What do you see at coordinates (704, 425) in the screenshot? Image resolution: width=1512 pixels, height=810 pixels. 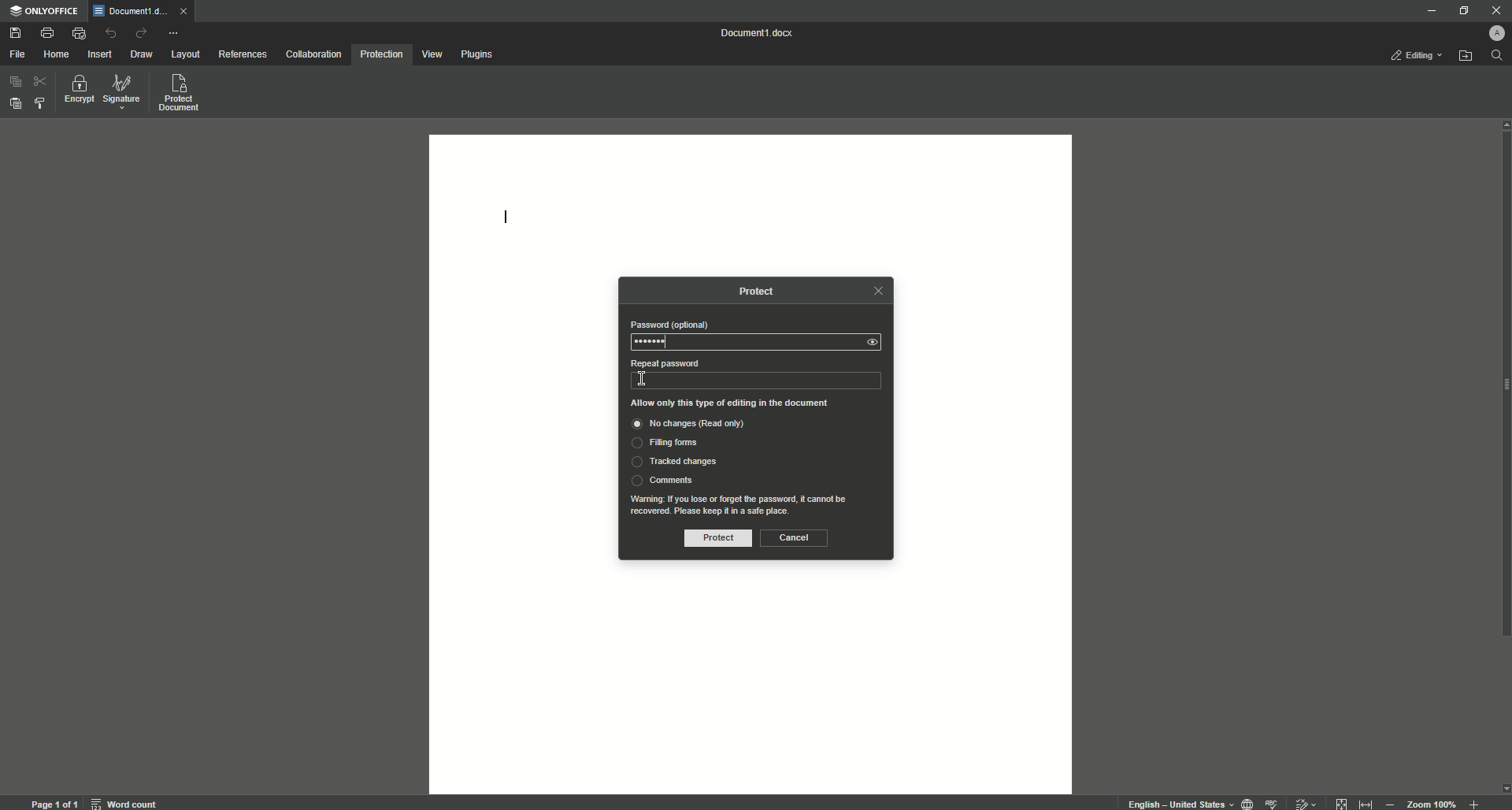 I see `No changes` at bounding box center [704, 425].